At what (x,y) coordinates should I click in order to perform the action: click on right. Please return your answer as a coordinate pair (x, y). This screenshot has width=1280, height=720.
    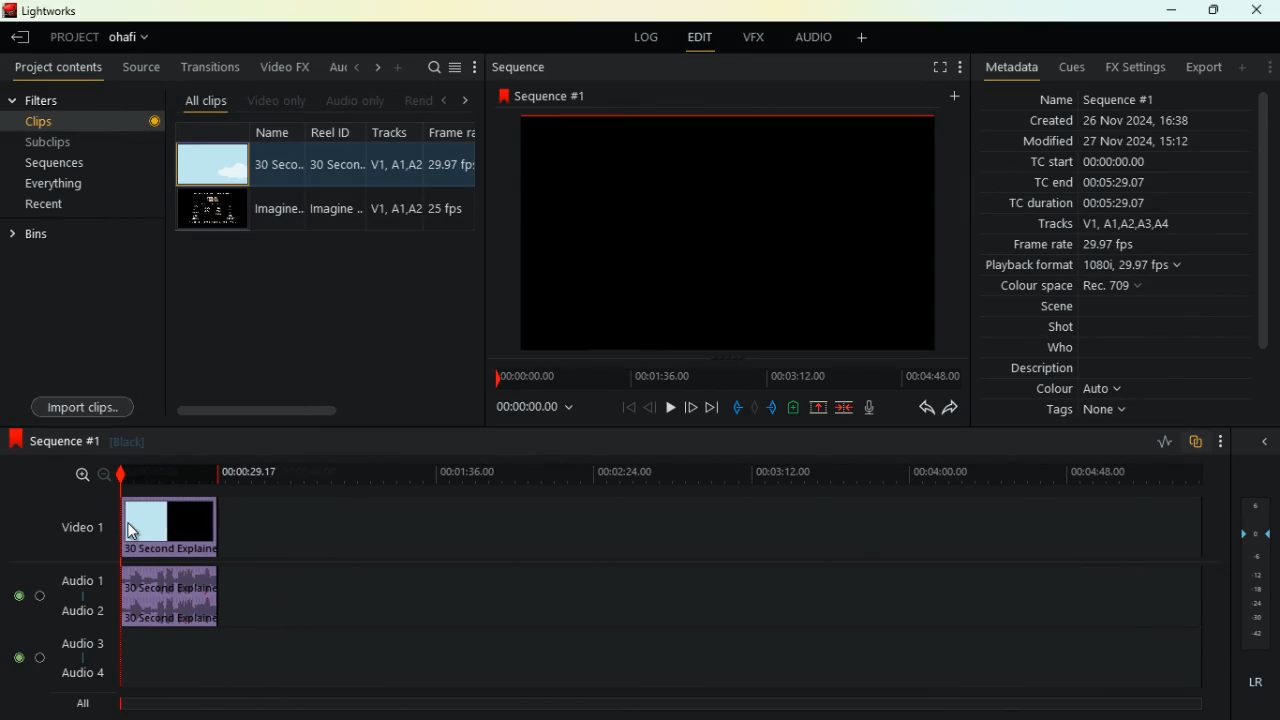
    Looking at the image, I should click on (376, 69).